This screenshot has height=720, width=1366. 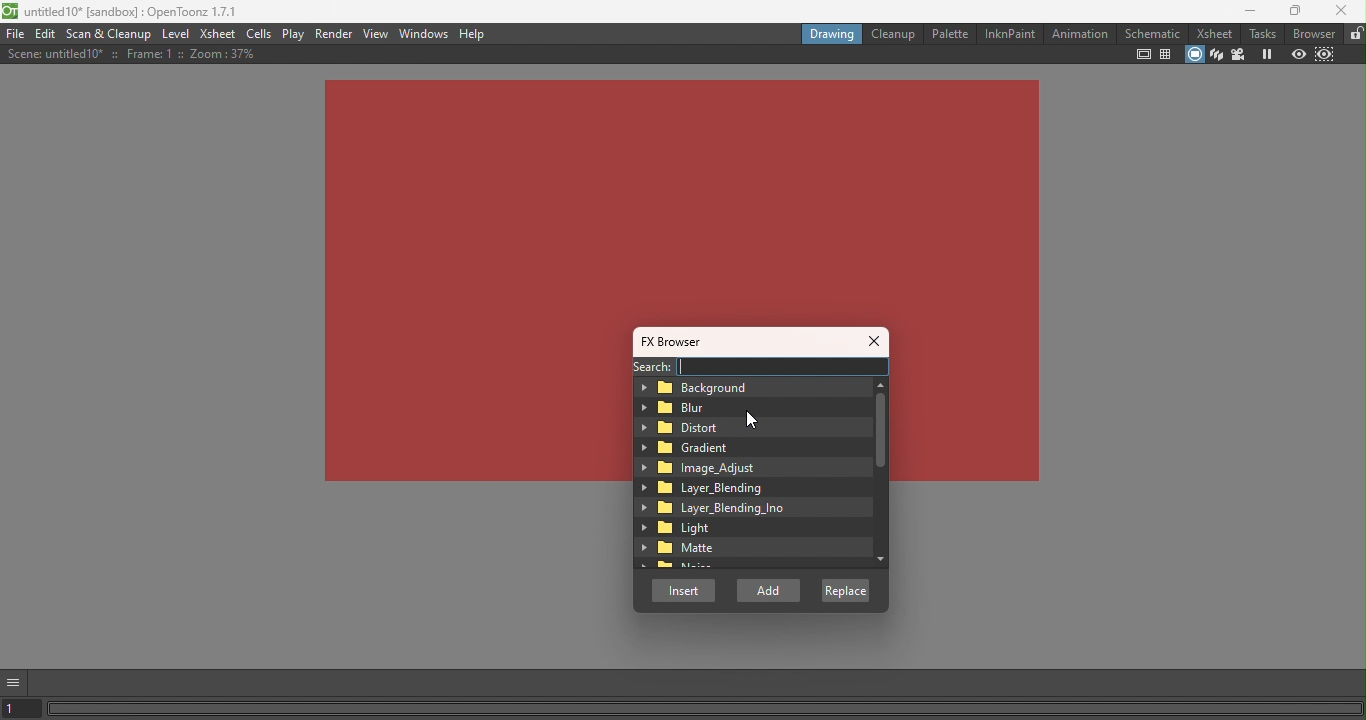 What do you see at coordinates (683, 592) in the screenshot?
I see `Insert` at bounding box center [683, 592].